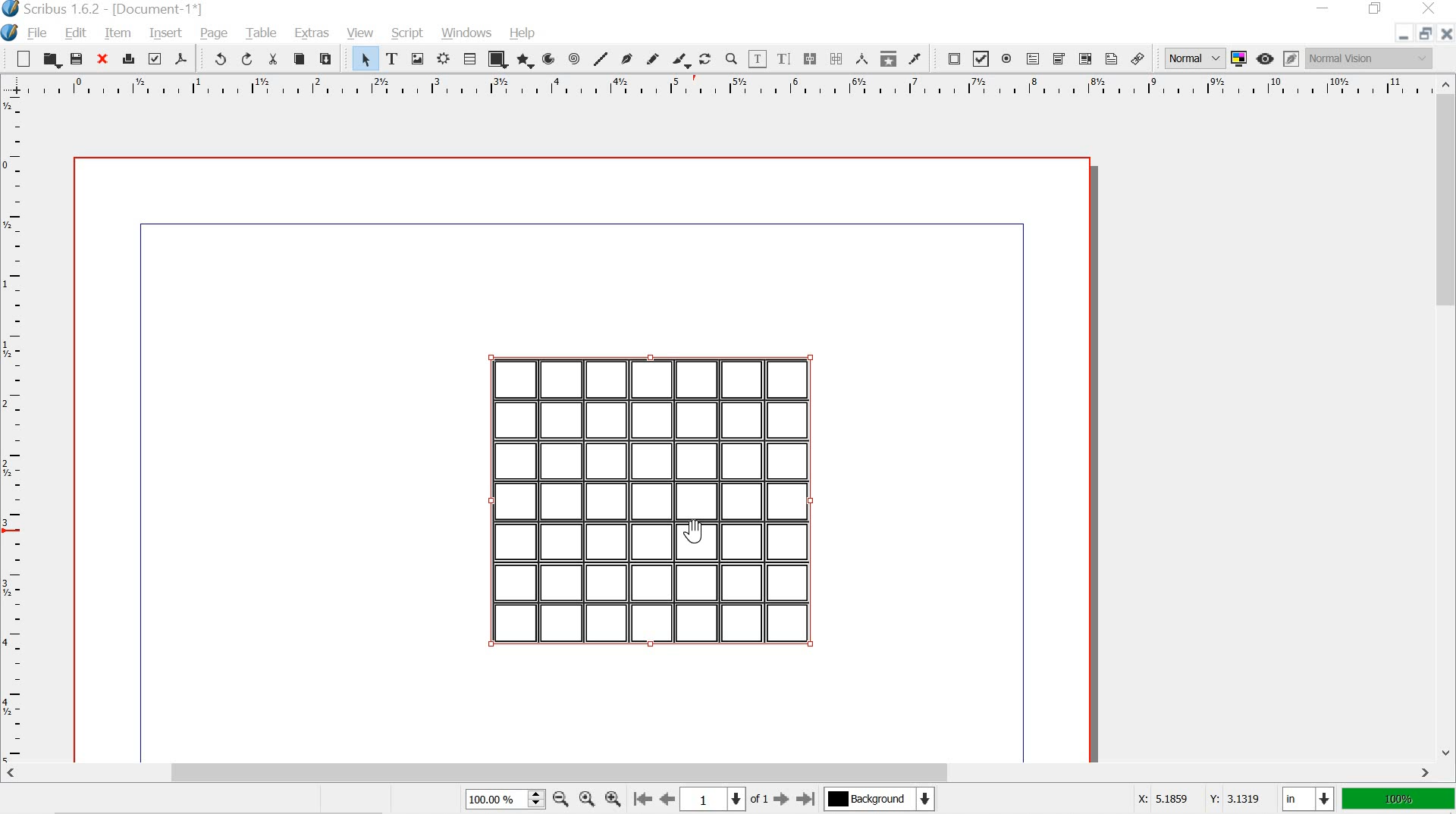 The image size is (1456, 814). What do you see at coordinates (1291, 57) in the screenshot?
I see `edit in preview mode` at bounding box center [1291, 57].